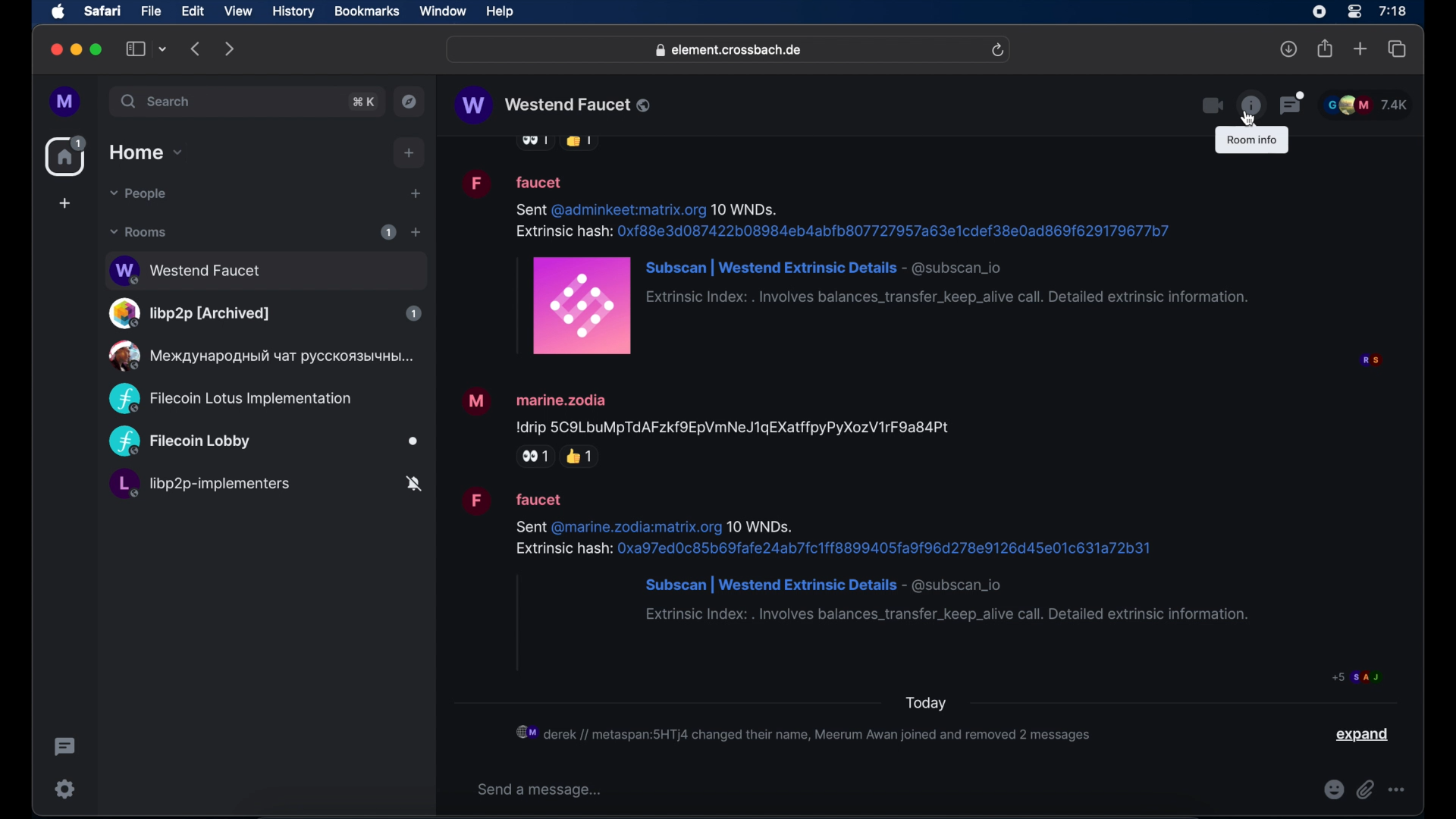 This screenshot has height=819, width=1456. I want to click on send a message, so click(542, 789).